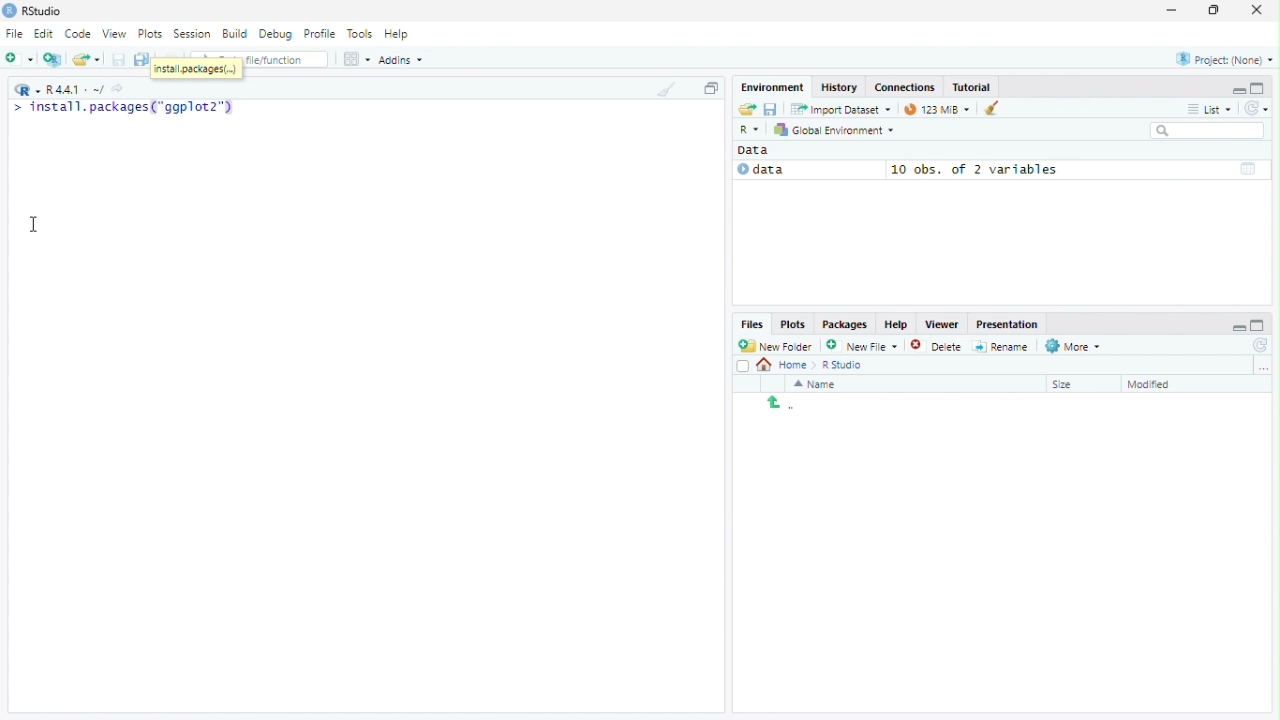  I want to click on Go to file/function, so click(286, 60).